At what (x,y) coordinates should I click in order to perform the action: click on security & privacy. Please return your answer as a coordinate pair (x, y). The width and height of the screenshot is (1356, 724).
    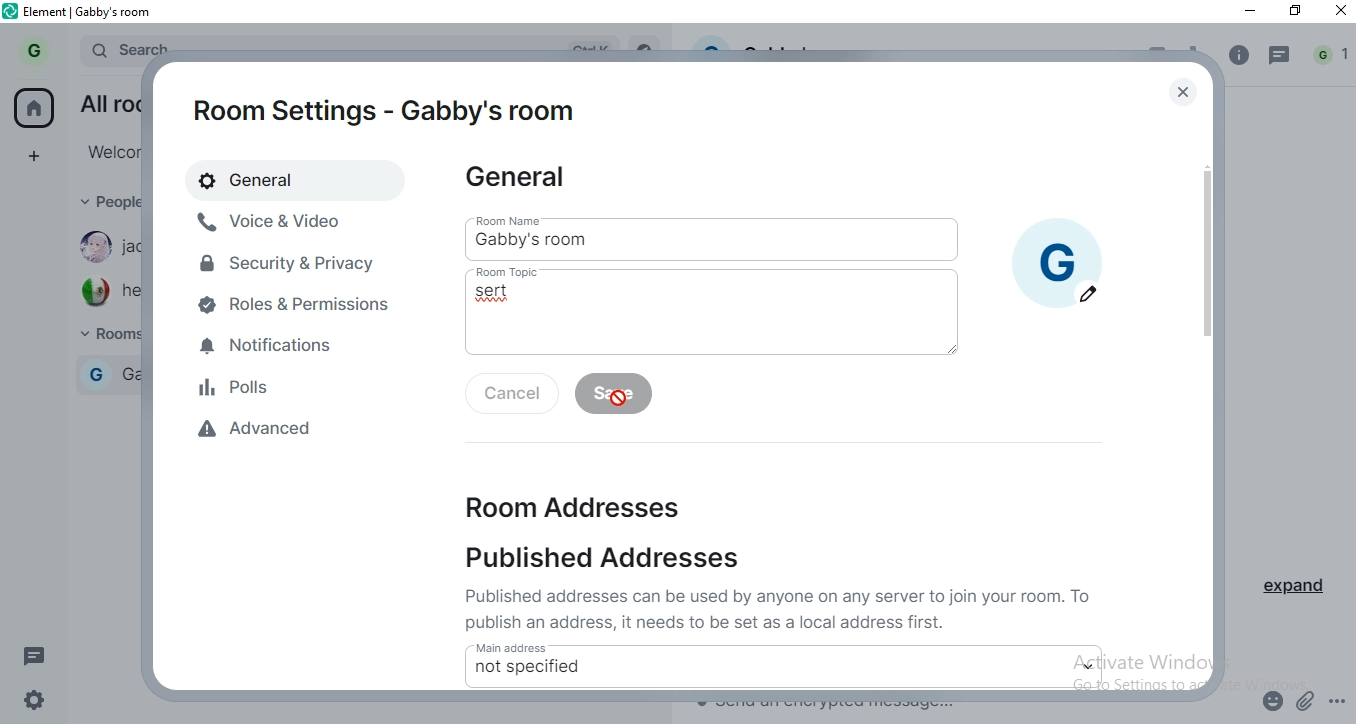
    Looking at the image, I should click on (289, 262).